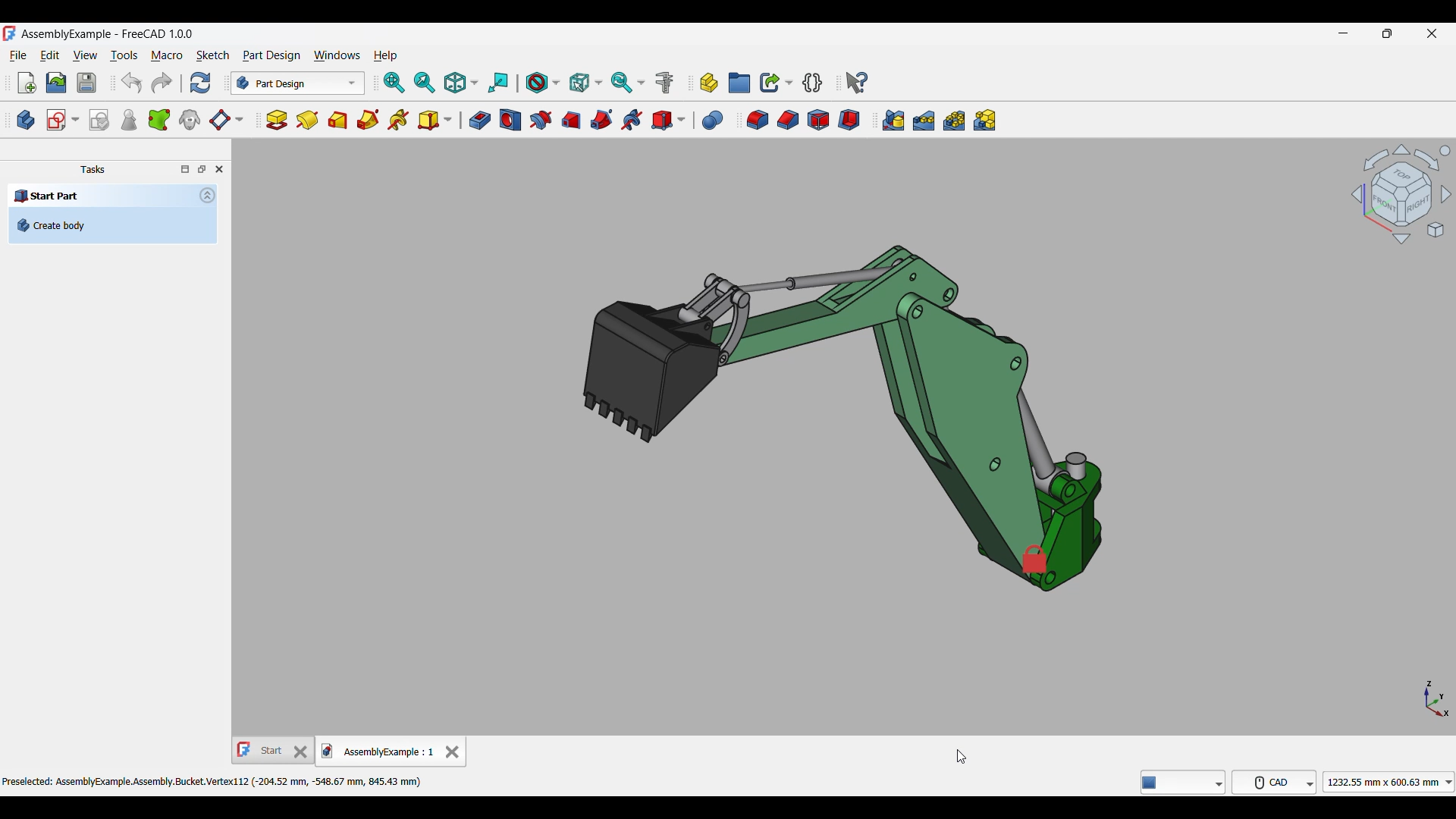  I want to click on Redo, so click(162, 83).